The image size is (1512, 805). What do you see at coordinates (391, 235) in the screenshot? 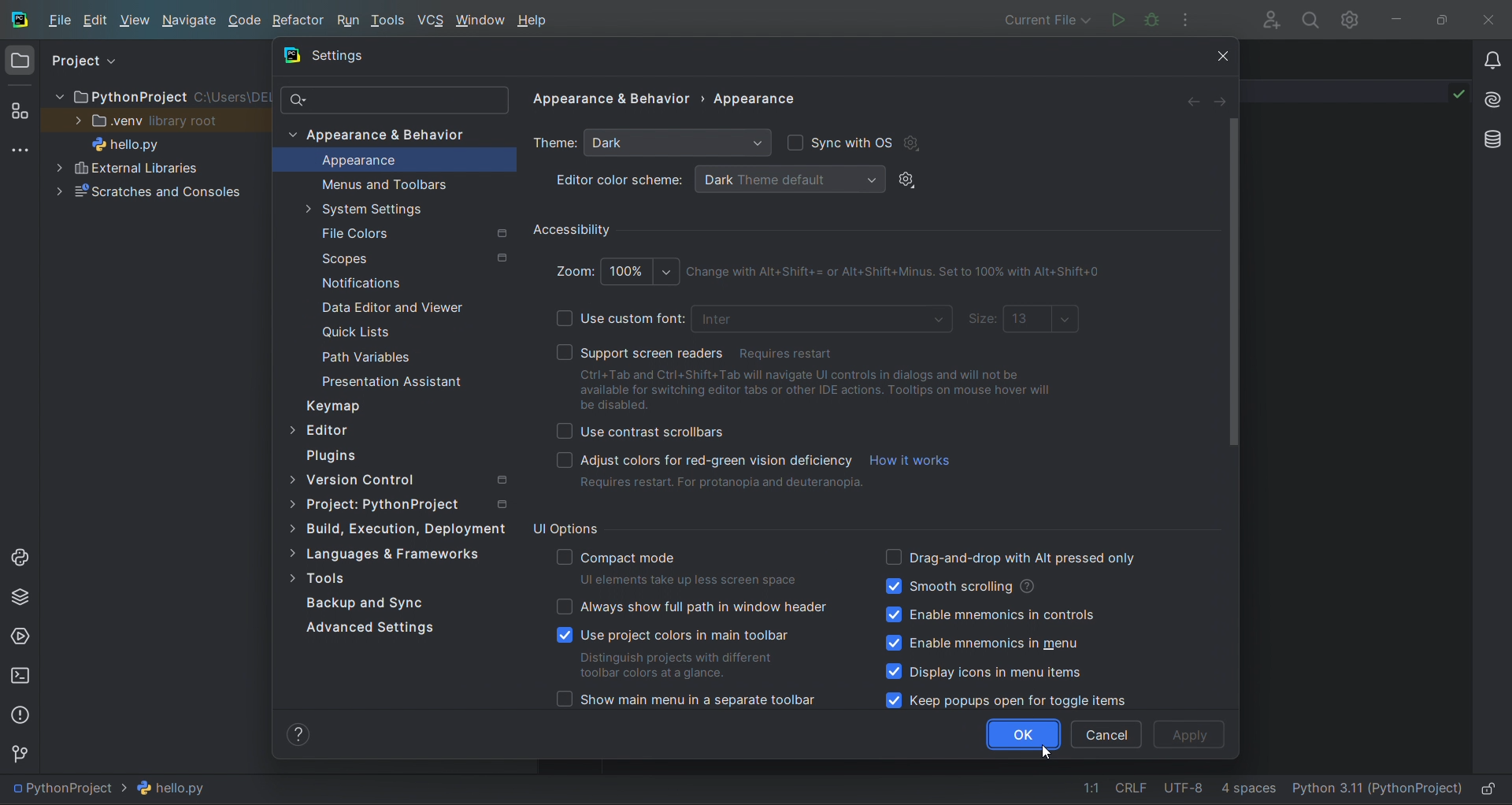
I see `File Colors` at bounding box center [391, 235].